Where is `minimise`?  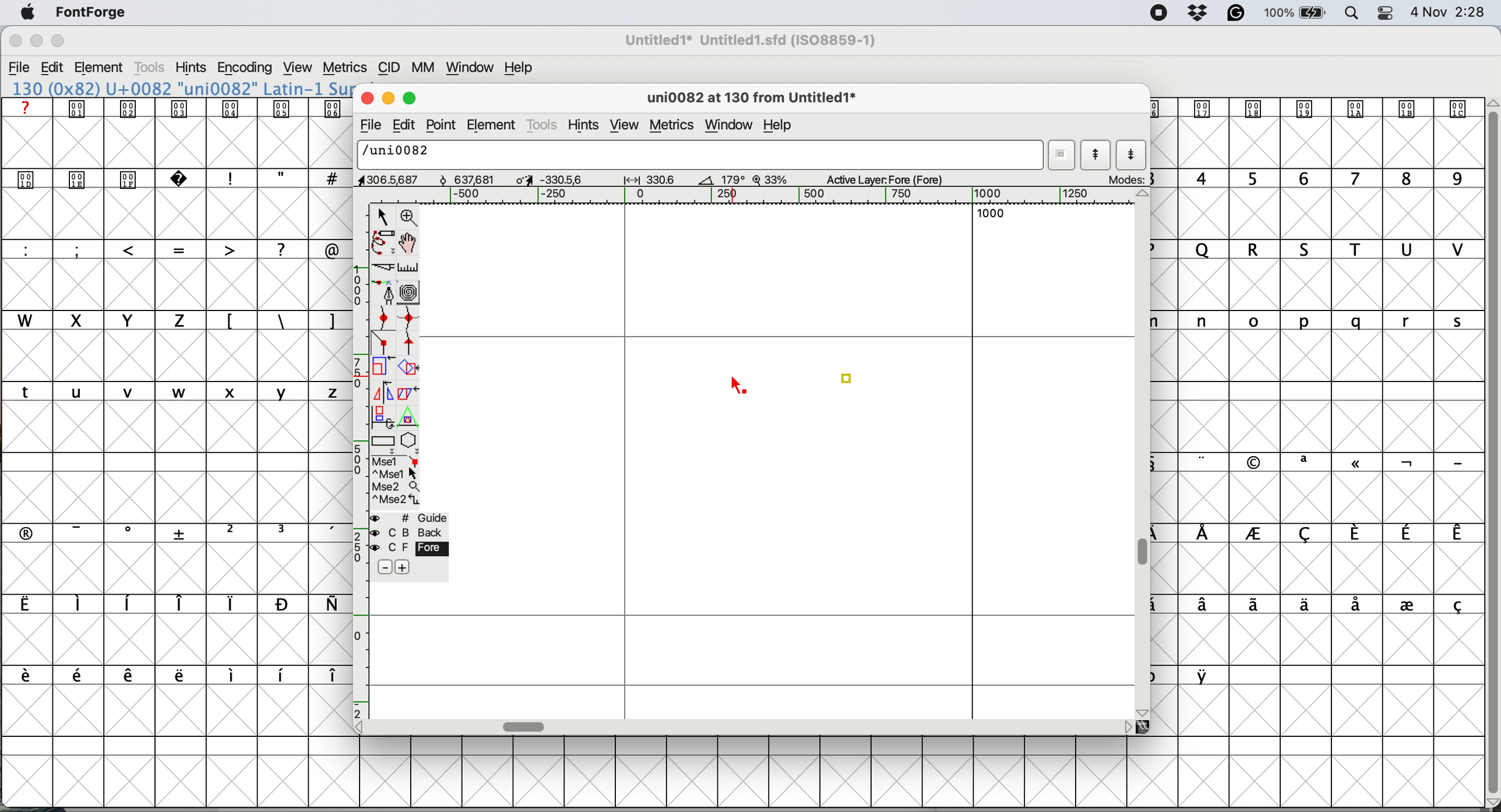 minimise is located at coordinates (386, 97).